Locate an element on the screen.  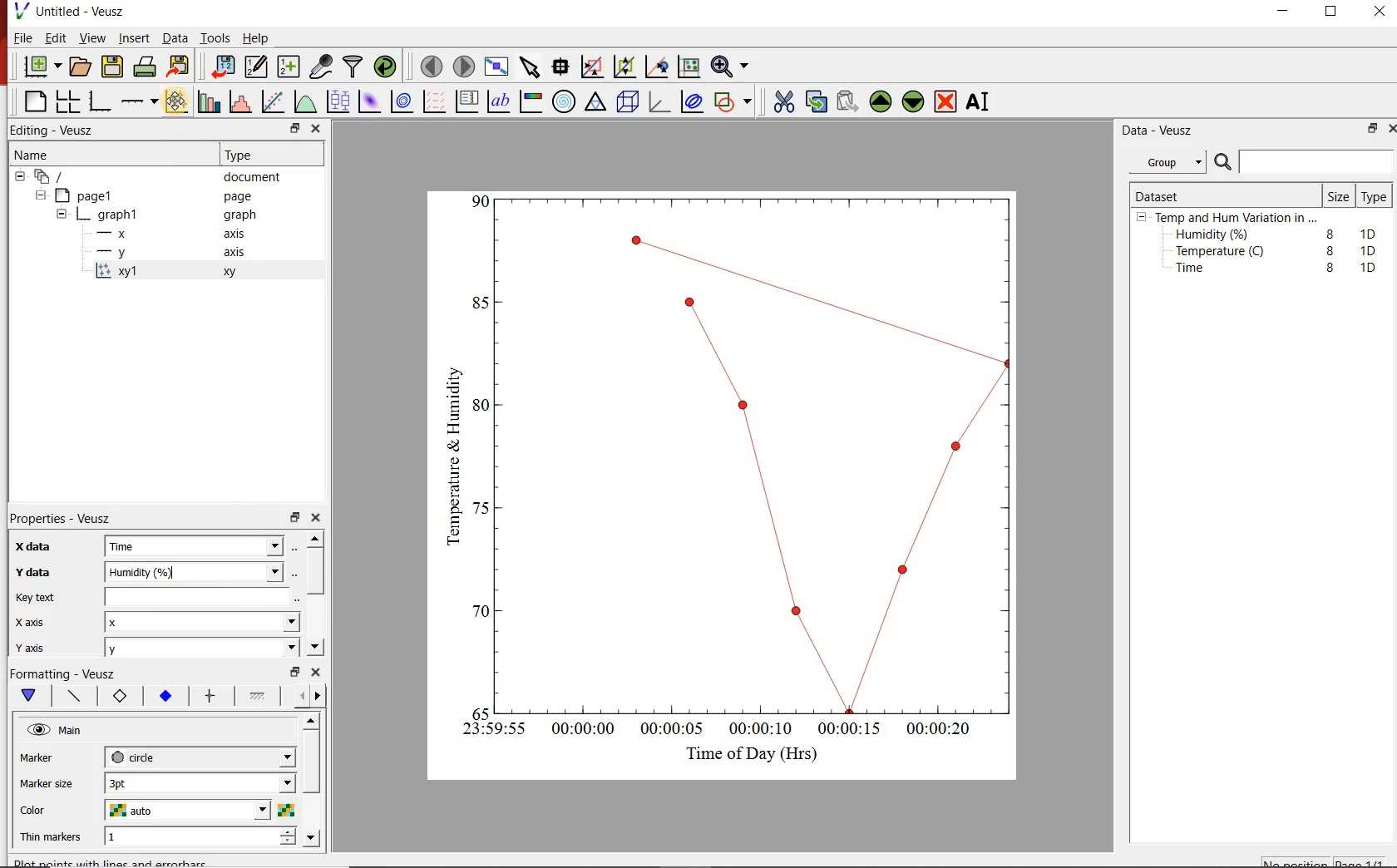
x is located at coordinates (138, 623).